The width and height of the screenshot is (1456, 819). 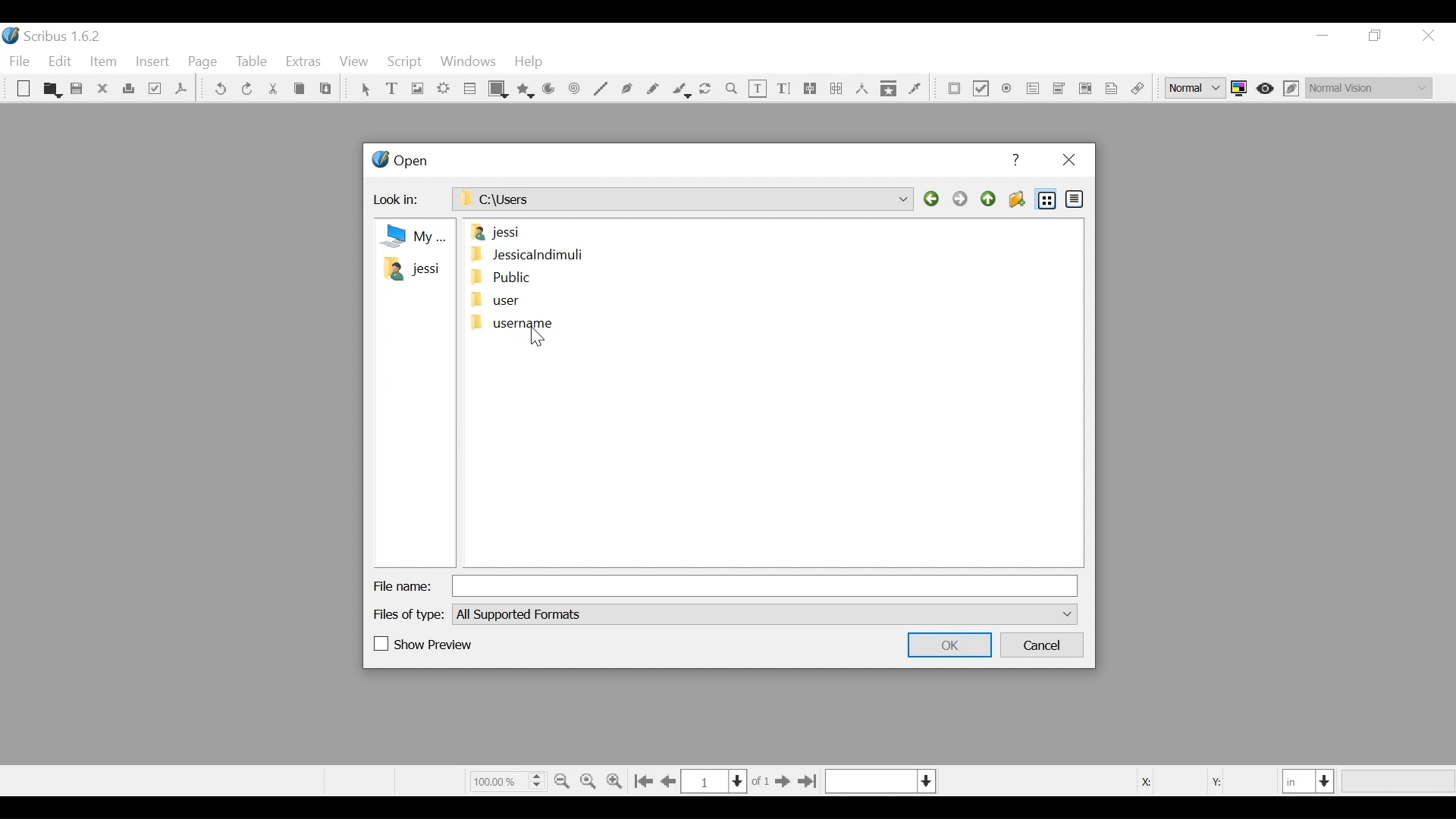 What do you see at coordinates (156, 90) in the screenshot?
I see `Preflight Verifier` at bounding box center [156, 90].